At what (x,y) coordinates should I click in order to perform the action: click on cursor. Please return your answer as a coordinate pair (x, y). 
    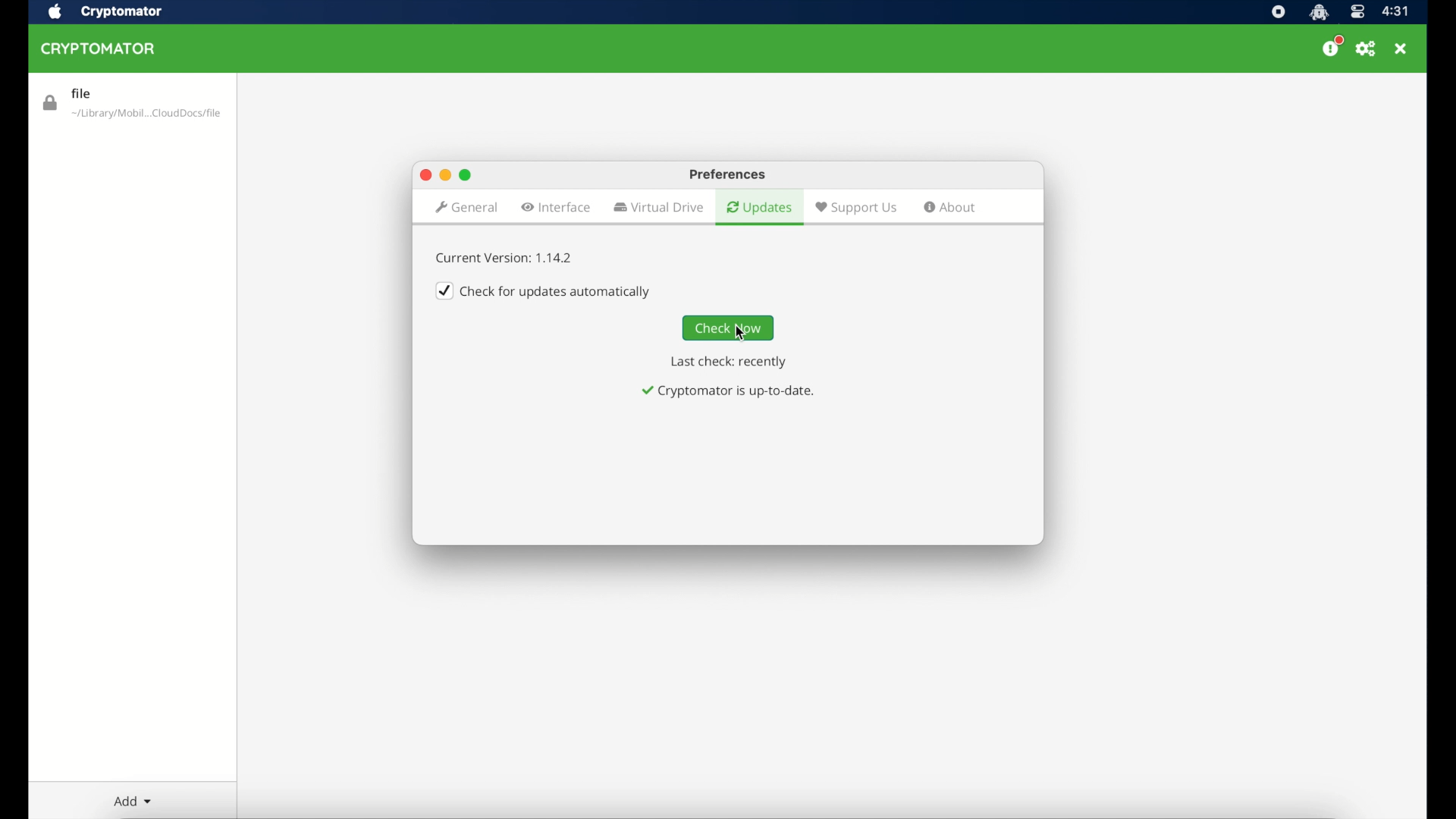
    Looking at the image, I should click on (742, 334).